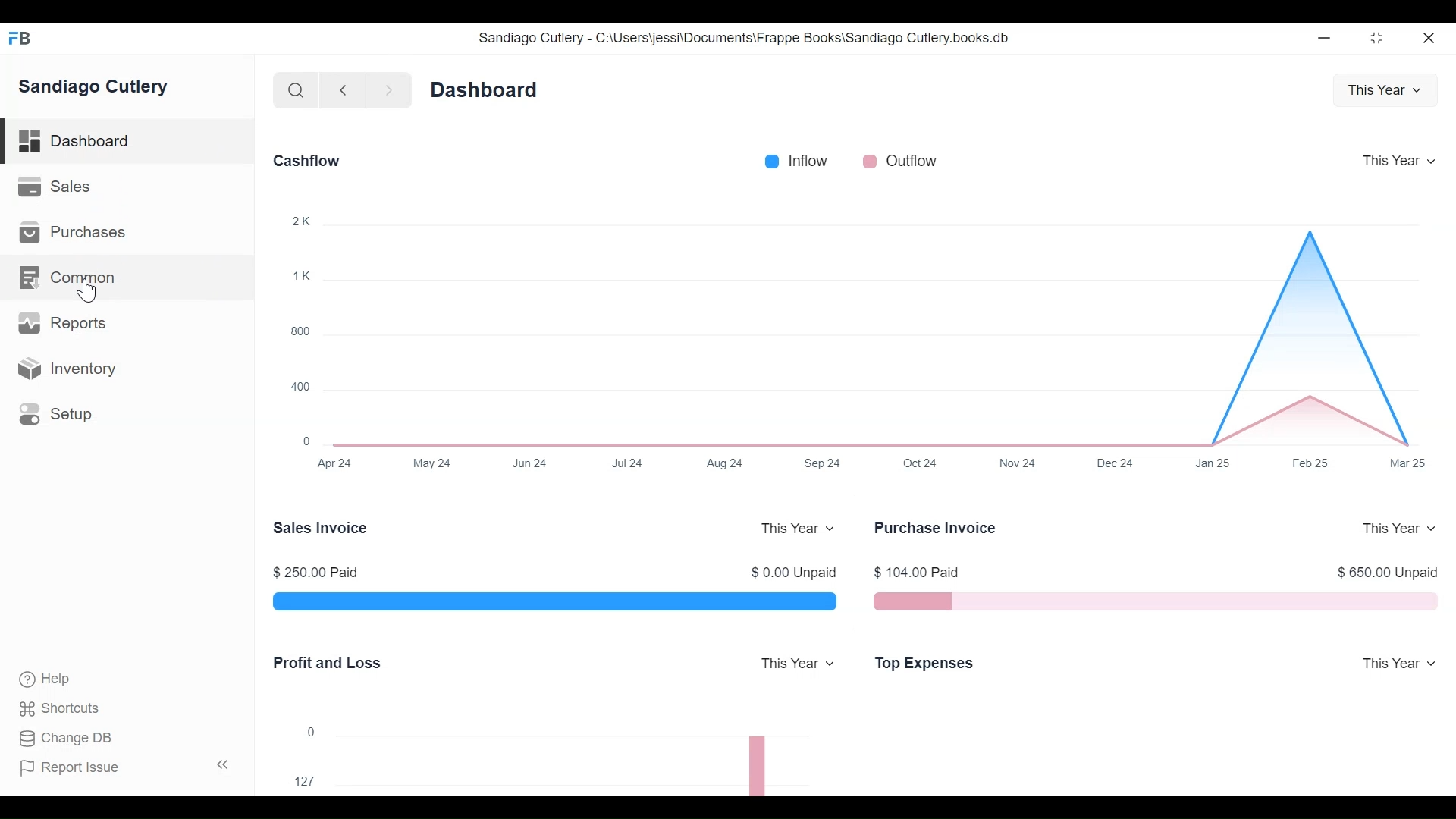 The width and height of the screenshot is (1456, 819). What do you see at coordinates (905, 160) in the screenshot?
I see `Outflow` at bounding box center [905, 160].